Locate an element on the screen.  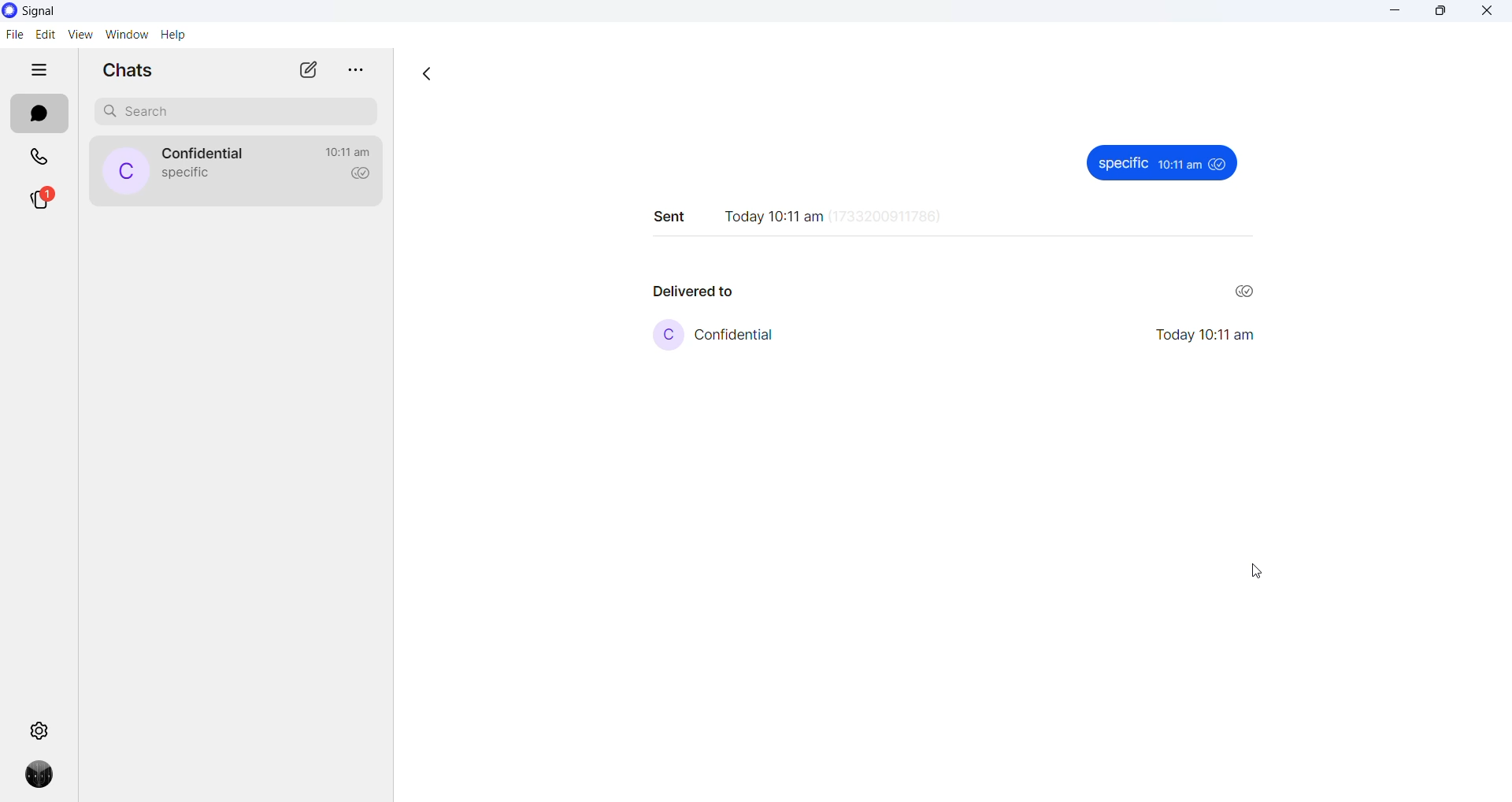
view is located at coordinates (81, 35).